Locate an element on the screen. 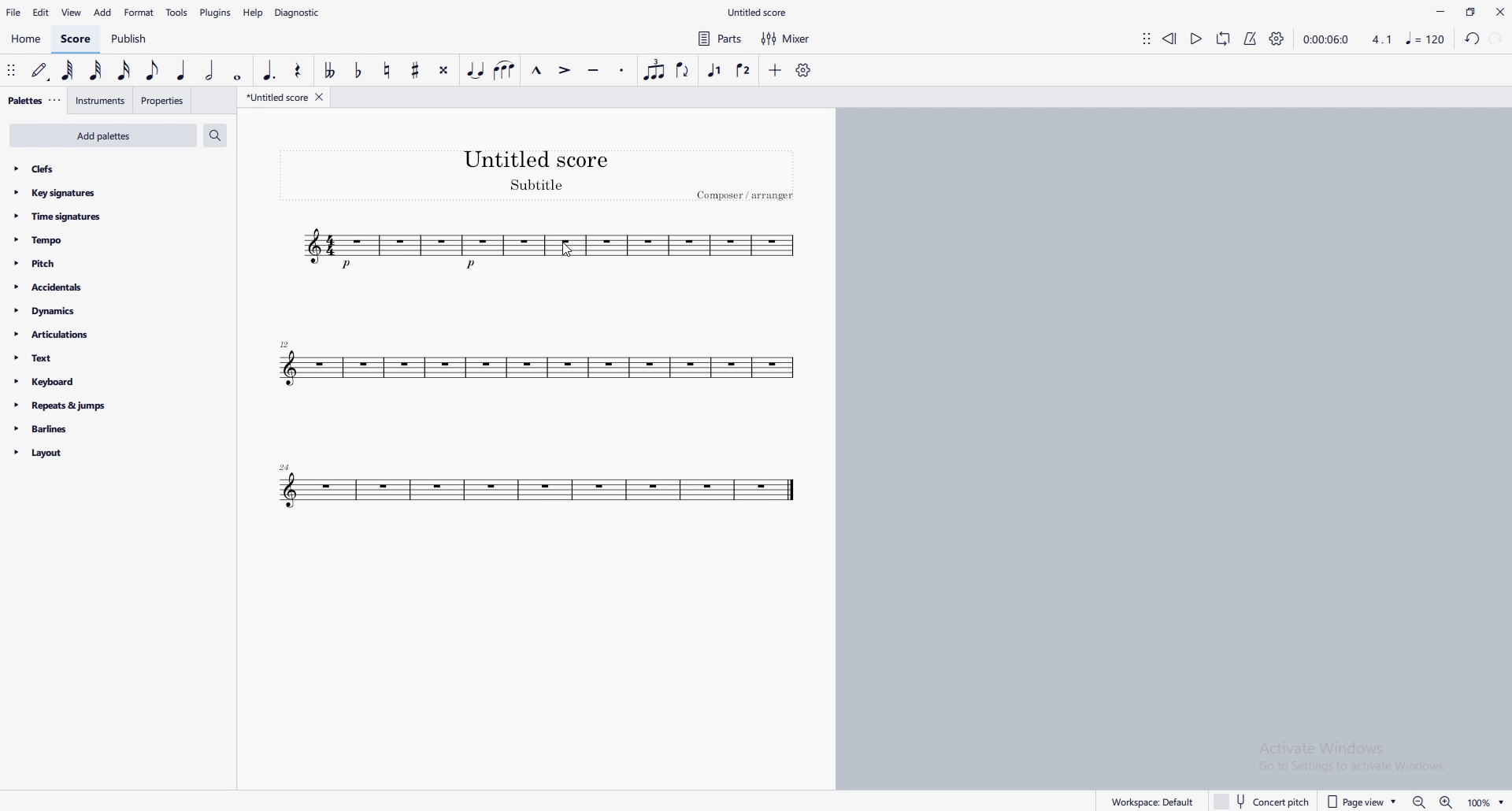 The image size is (1512, 811). pitch is located at coordinates (101, 264).